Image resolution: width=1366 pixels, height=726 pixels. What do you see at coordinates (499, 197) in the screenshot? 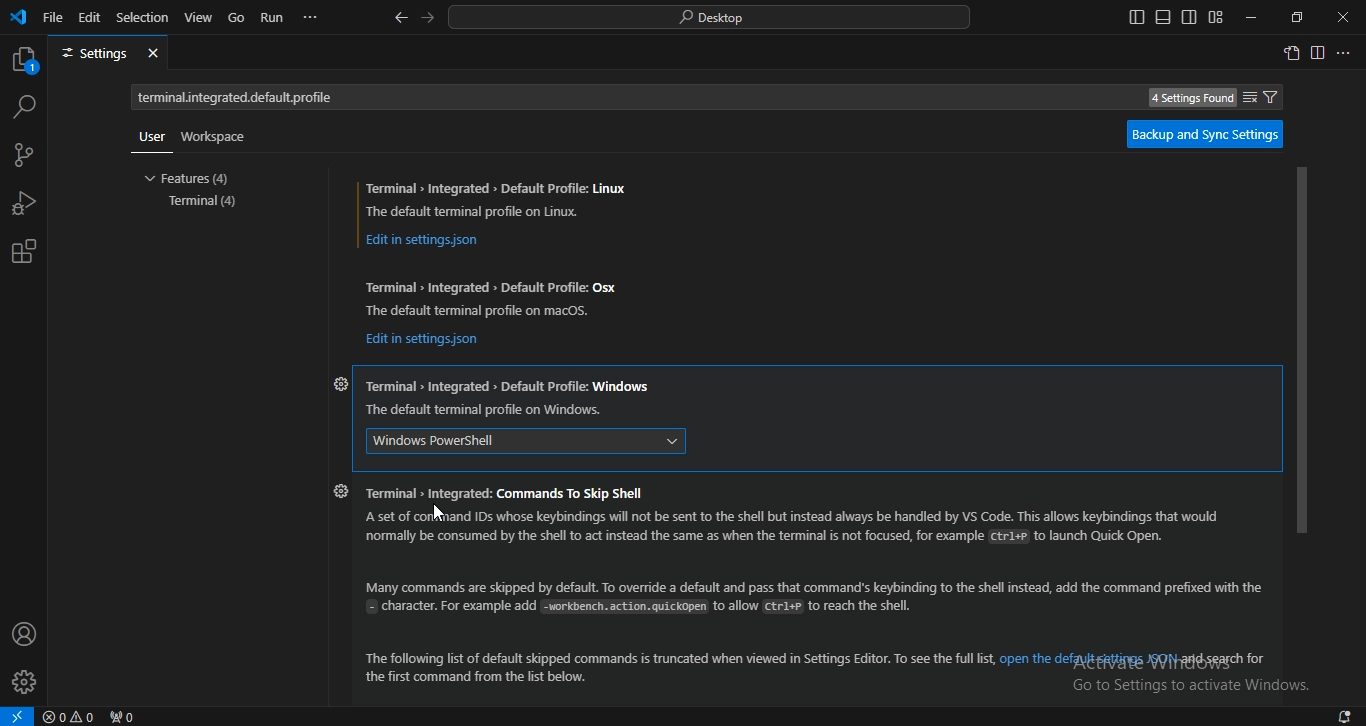
I see `Terminal » Integrated > Default Profile: Linux
The default terminal profile on Linux.` at bounding box center [499, 197].